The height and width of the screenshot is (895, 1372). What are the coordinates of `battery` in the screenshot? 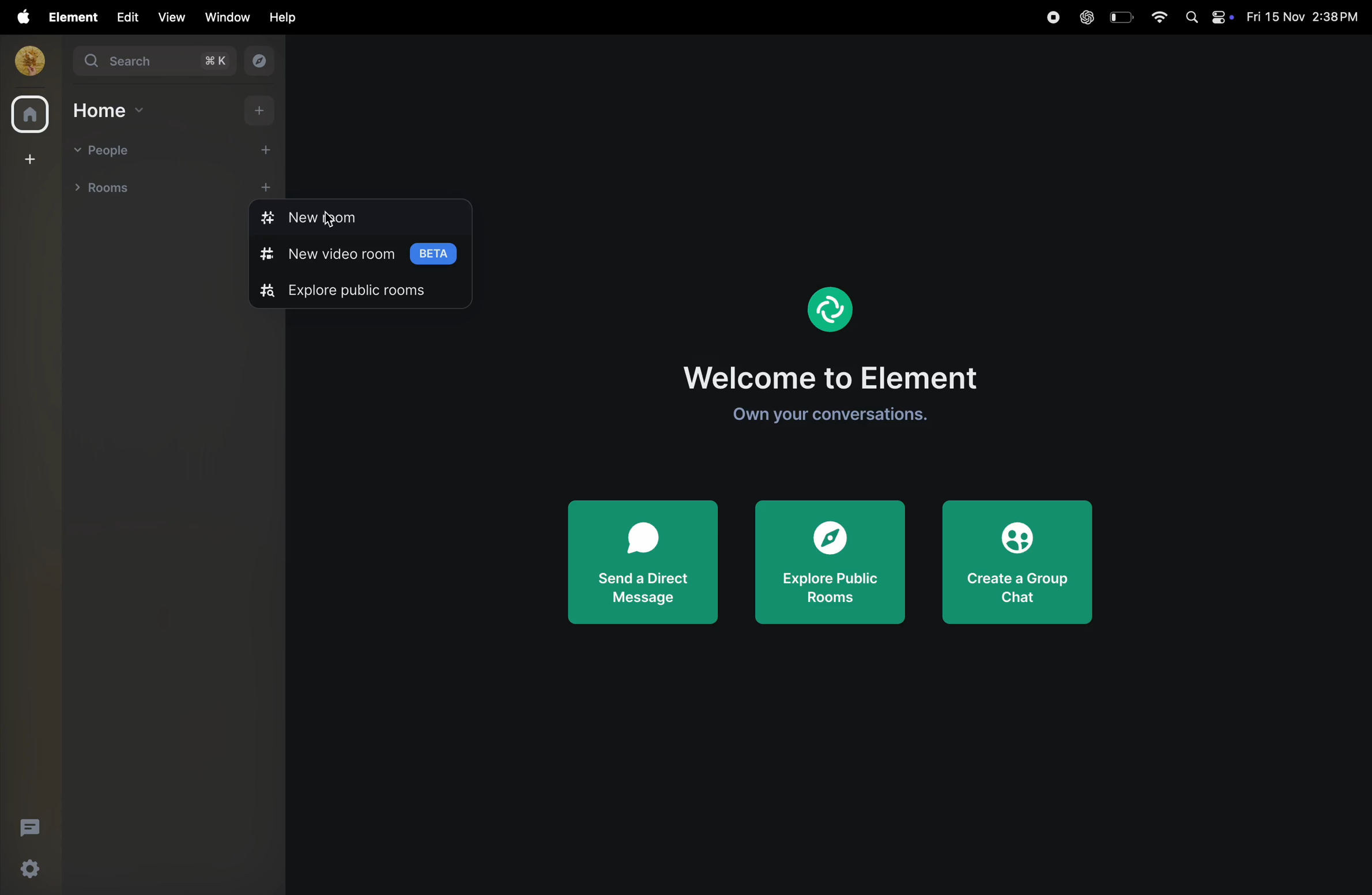 It's located at (1120, 17).